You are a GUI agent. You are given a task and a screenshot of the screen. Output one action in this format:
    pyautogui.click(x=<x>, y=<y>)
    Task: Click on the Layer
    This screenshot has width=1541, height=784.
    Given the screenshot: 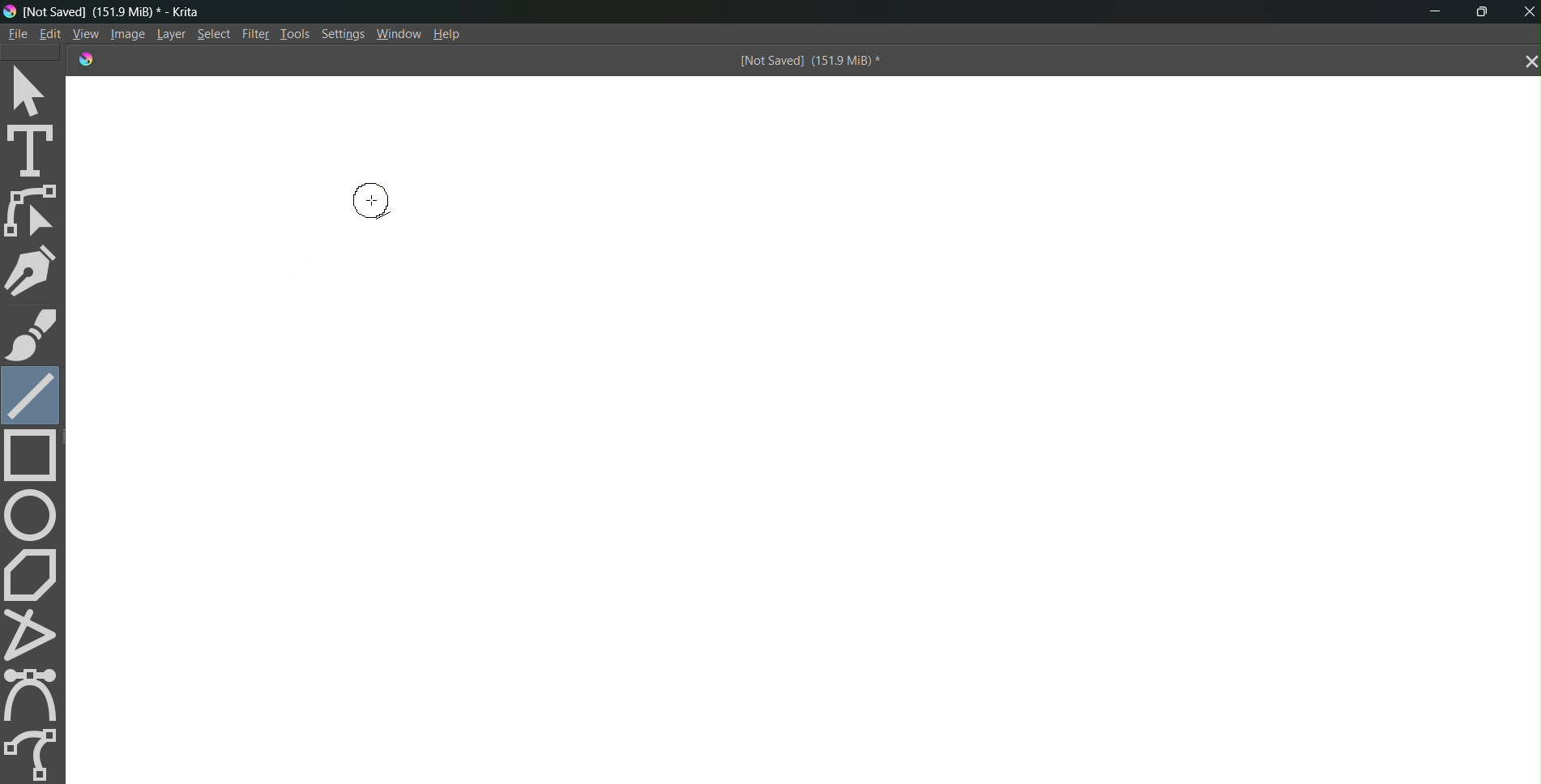 What is the action you would take?
    pyautogui.click(x=168, y=35)
    